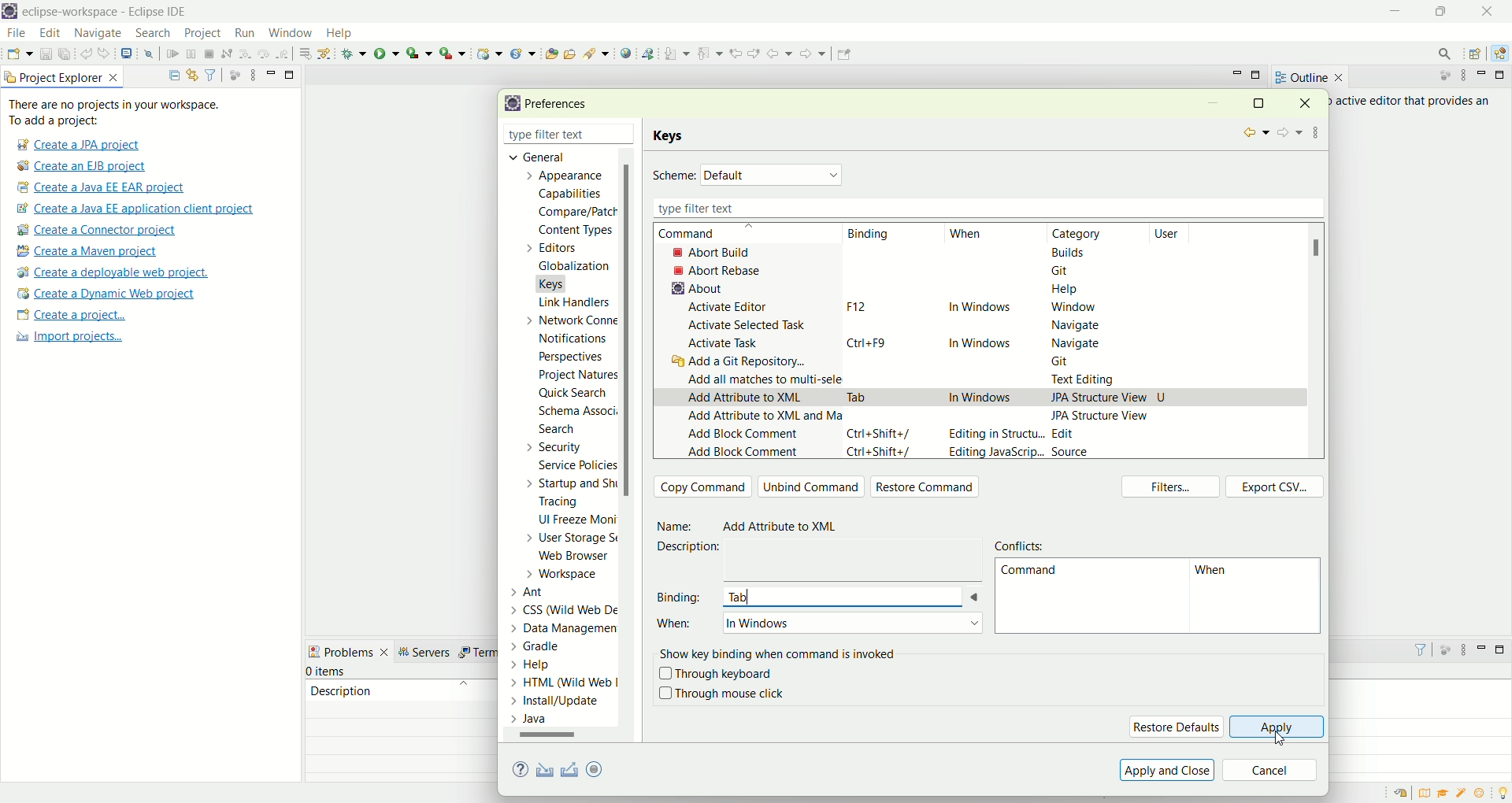 This screenshot has width=1512, height=803. I want to click on file, so click(15, 34).